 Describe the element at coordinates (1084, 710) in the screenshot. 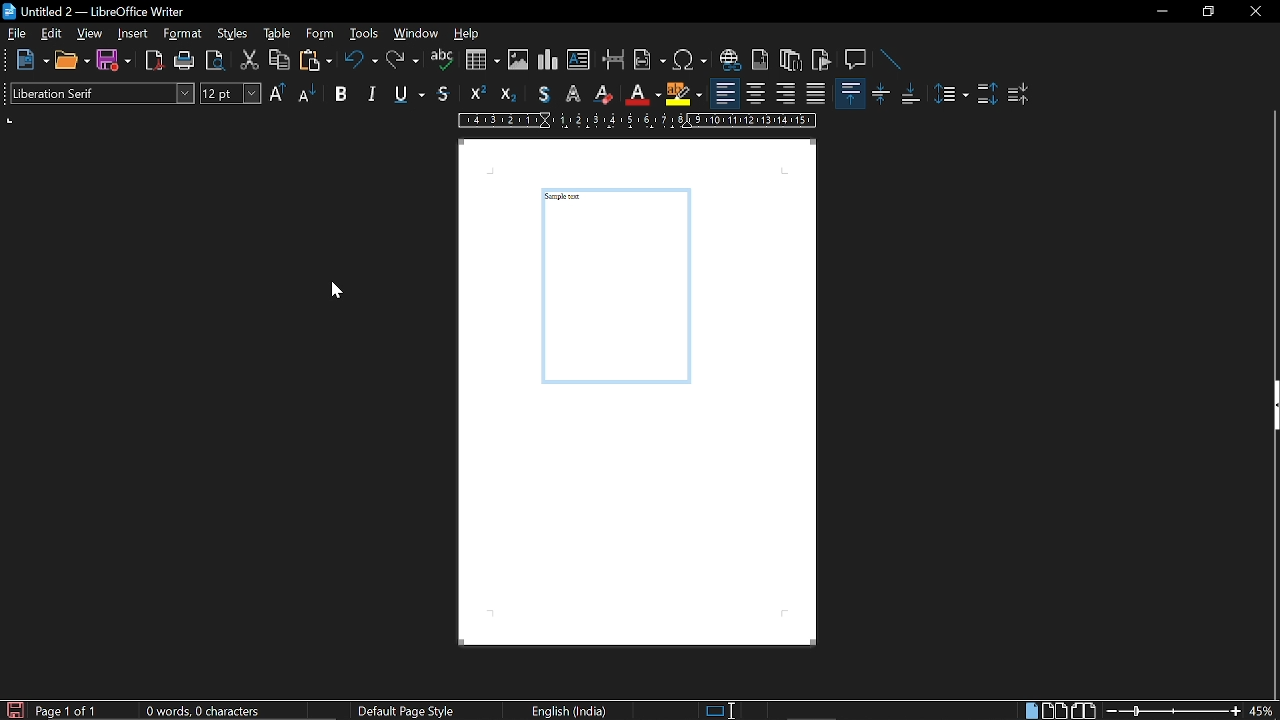

I see `book view` at that location.